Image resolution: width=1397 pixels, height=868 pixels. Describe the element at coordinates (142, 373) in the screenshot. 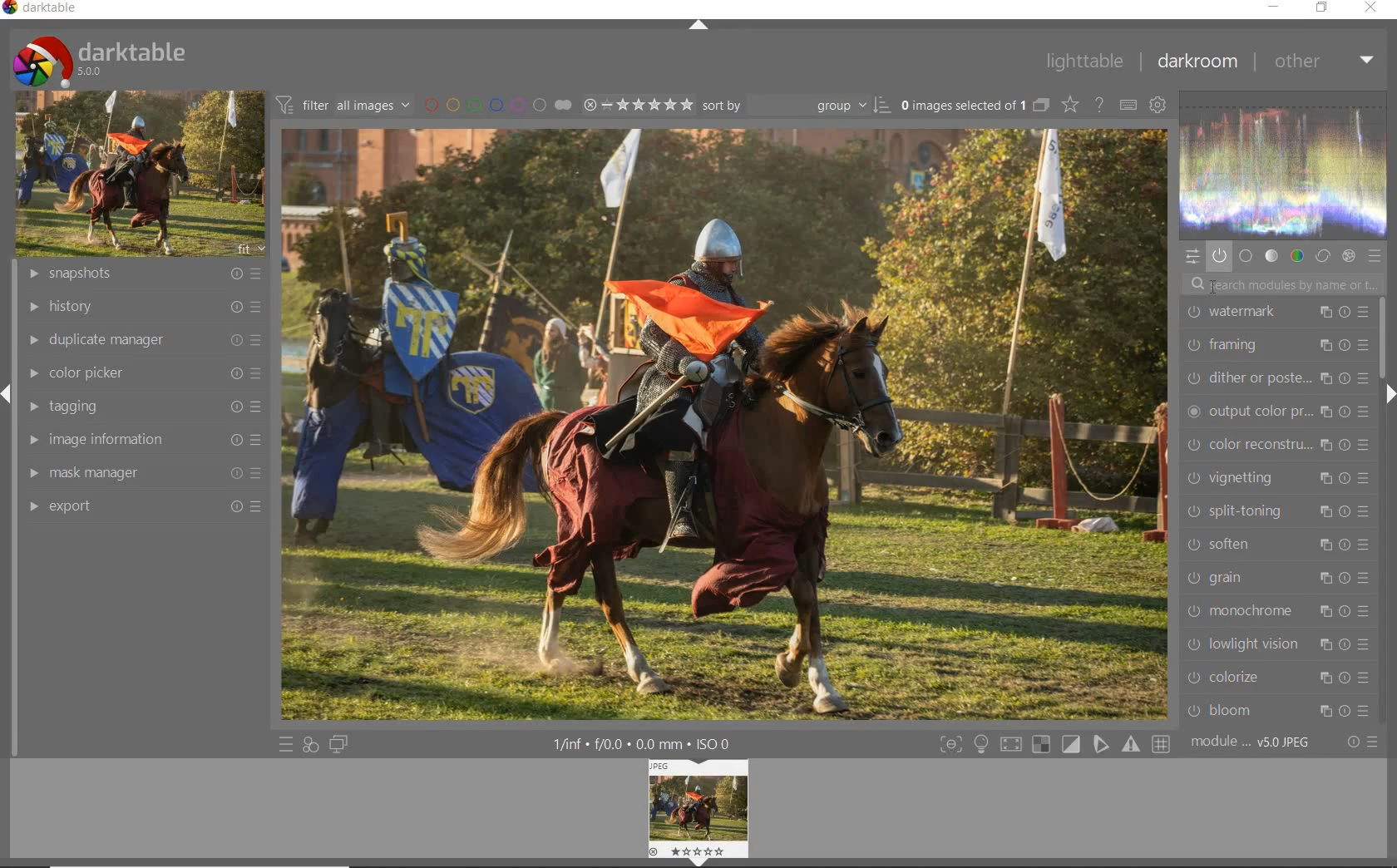

I see `color picker` at that location.